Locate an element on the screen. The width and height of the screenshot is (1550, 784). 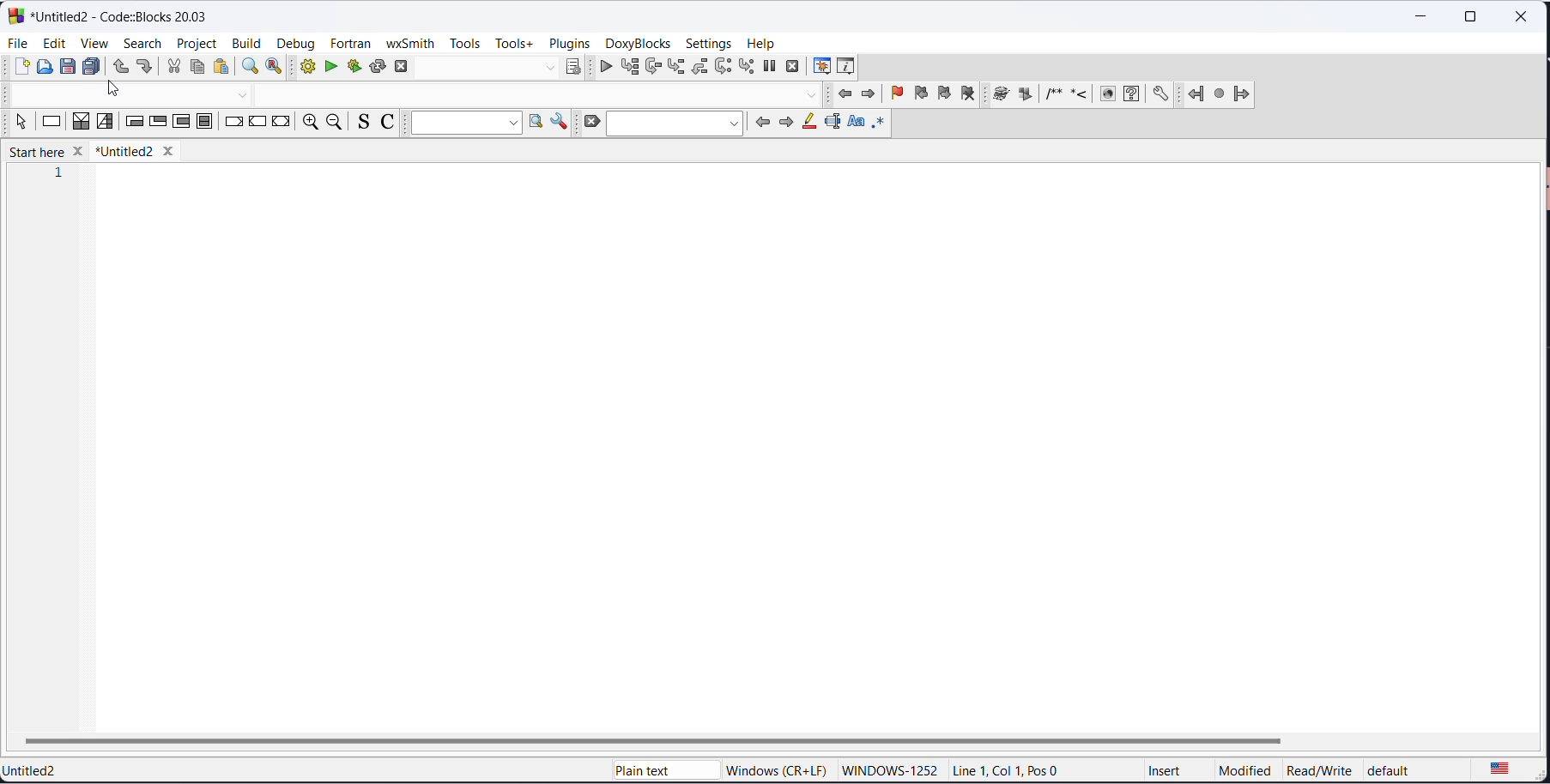
Text and dropdown is located at coordinates (467, 121).